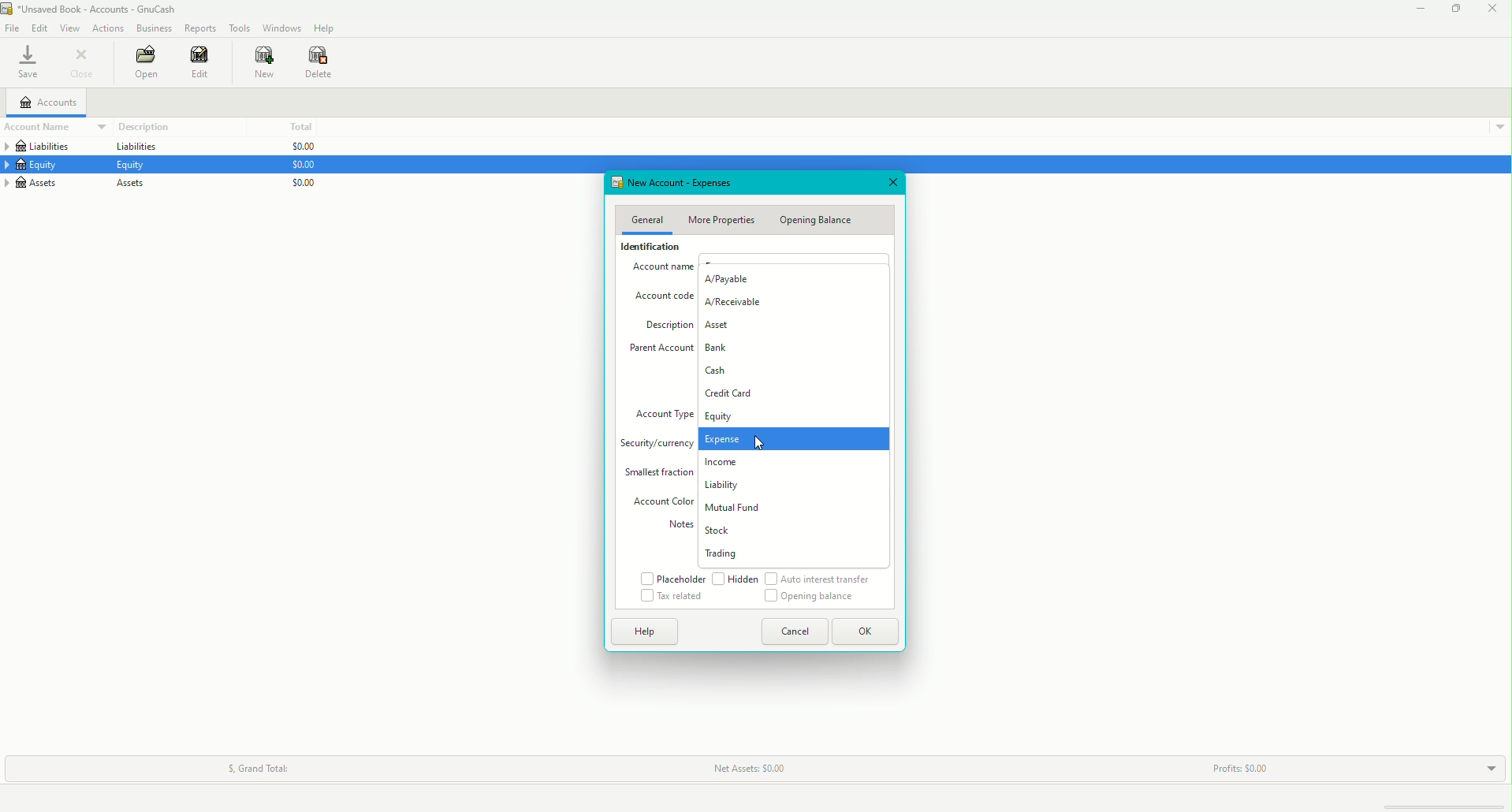 The width and height of the screenshot is (1512, 812). I want to click on Windows, so click(281, 28).